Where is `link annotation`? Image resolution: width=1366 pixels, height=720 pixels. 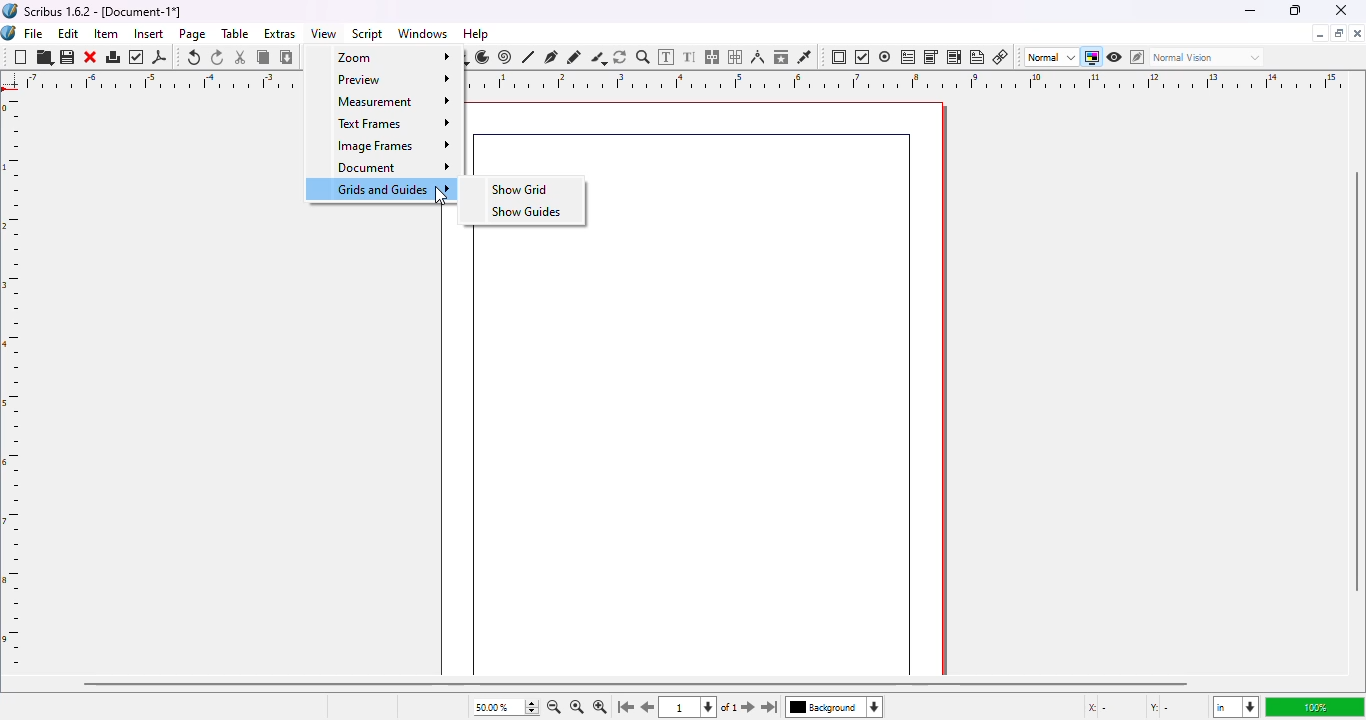
link annotation is located at coordinates (1001, 57).